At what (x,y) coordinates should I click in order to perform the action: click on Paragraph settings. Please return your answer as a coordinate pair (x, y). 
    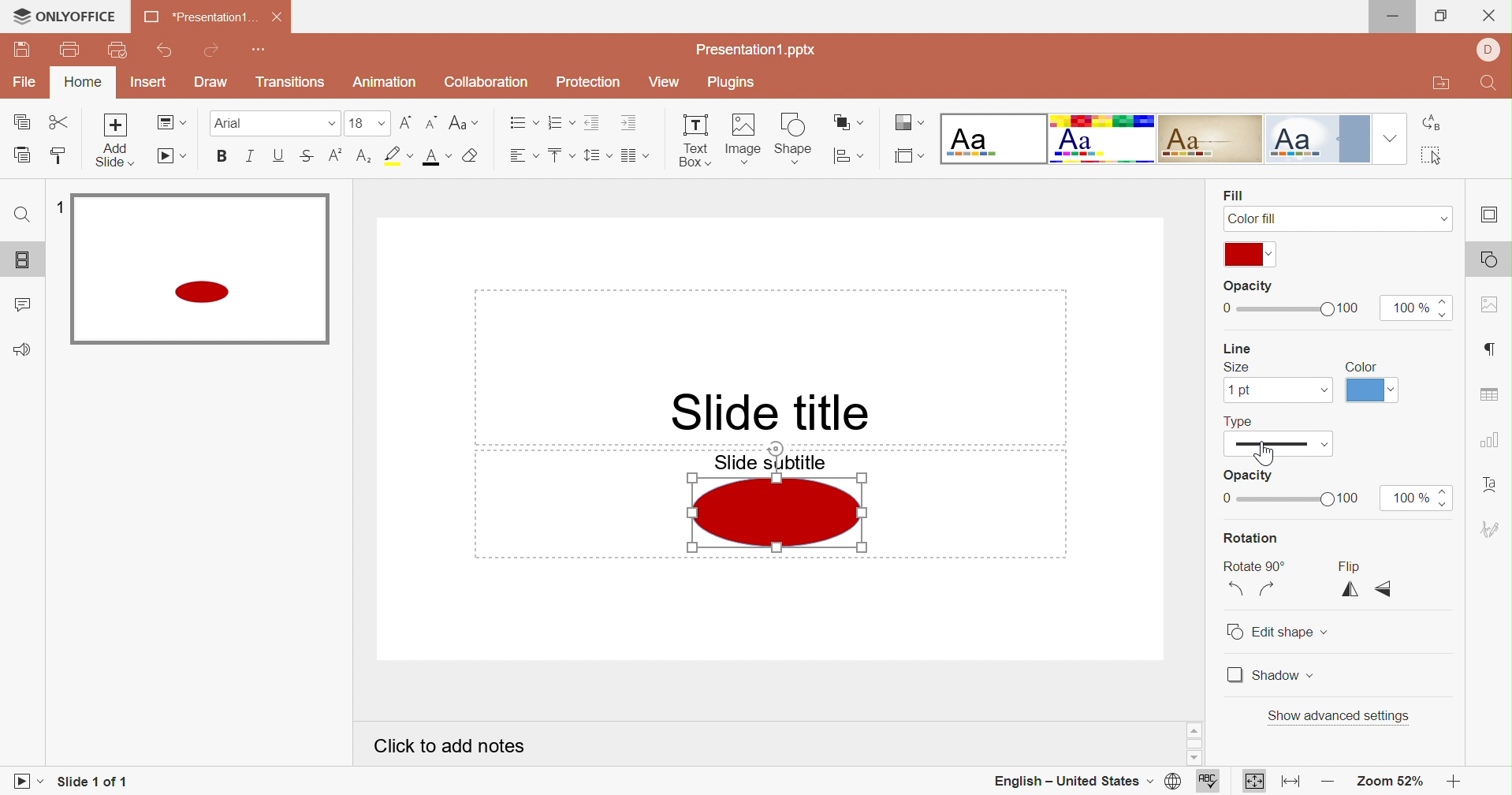
    Looking at the image, I should click on (1489, 349).